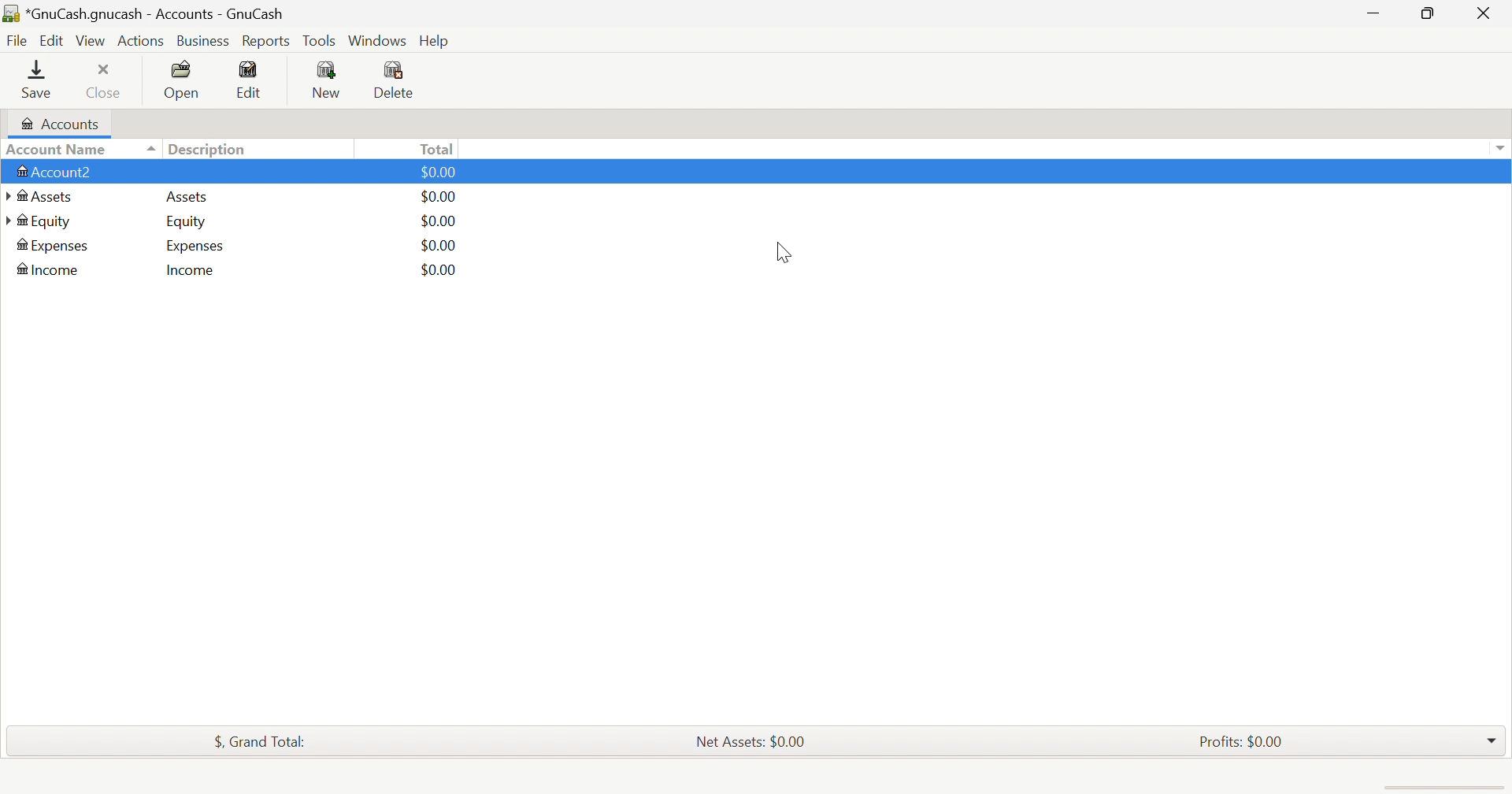 Image resolution: width=1512 pixels, height=794 pixels. Describe the element at coordinates (254, 80) in the screenshot. I see `Edit` at that location.